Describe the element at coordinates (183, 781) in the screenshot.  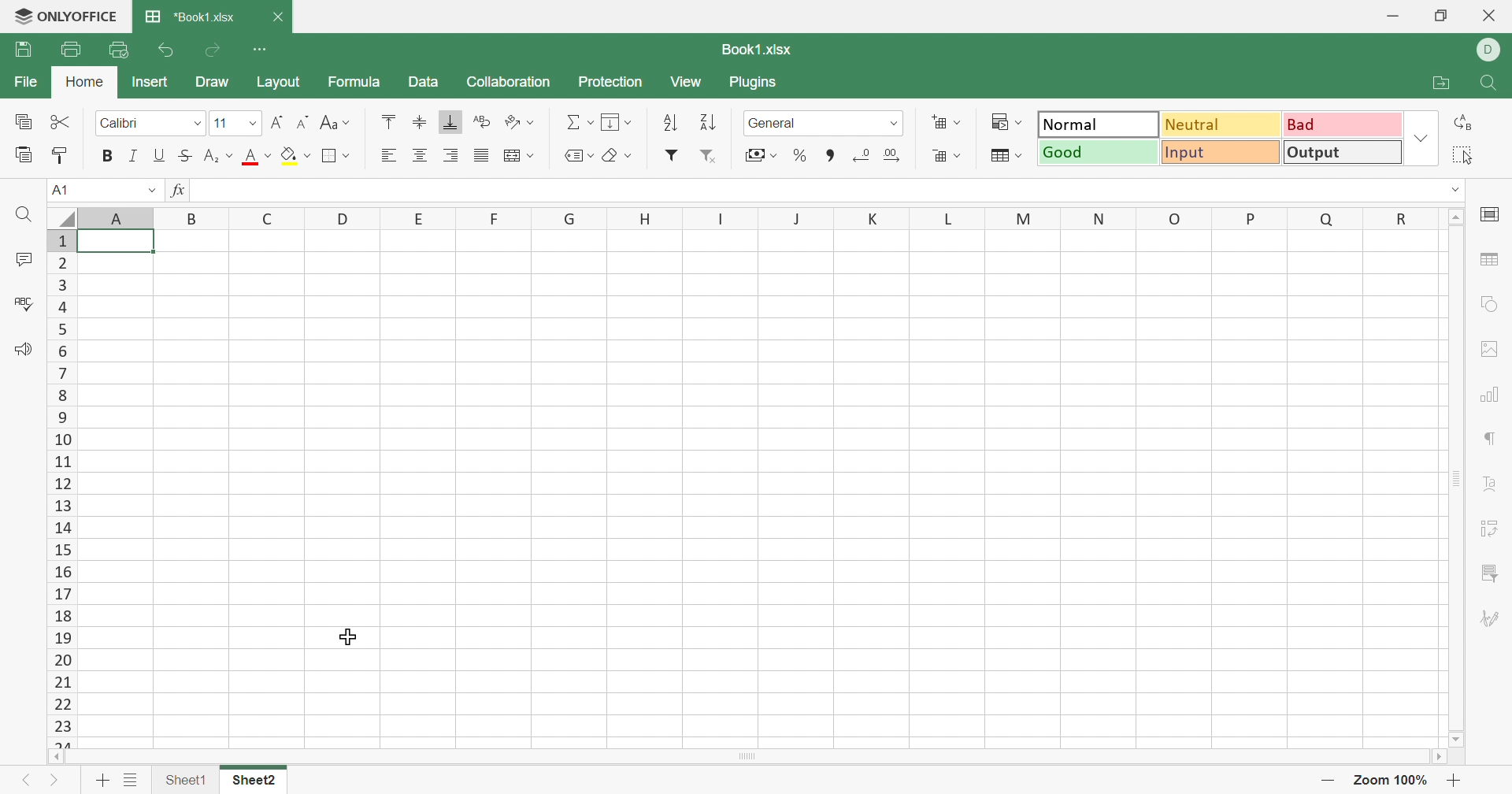
I see `Sheet1` at that location.